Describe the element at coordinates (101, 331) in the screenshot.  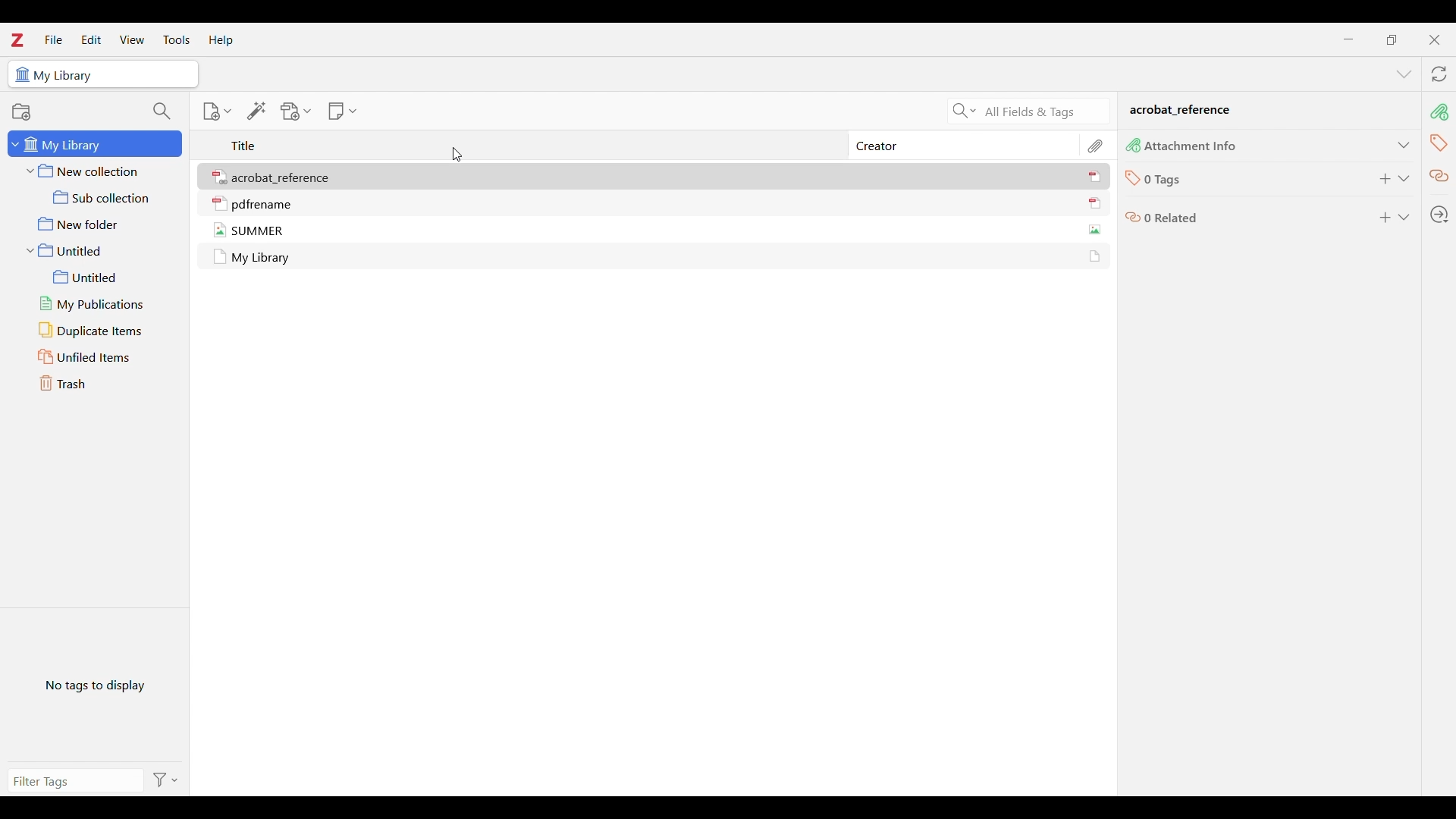
I see `Duplicate items folder` at that location.